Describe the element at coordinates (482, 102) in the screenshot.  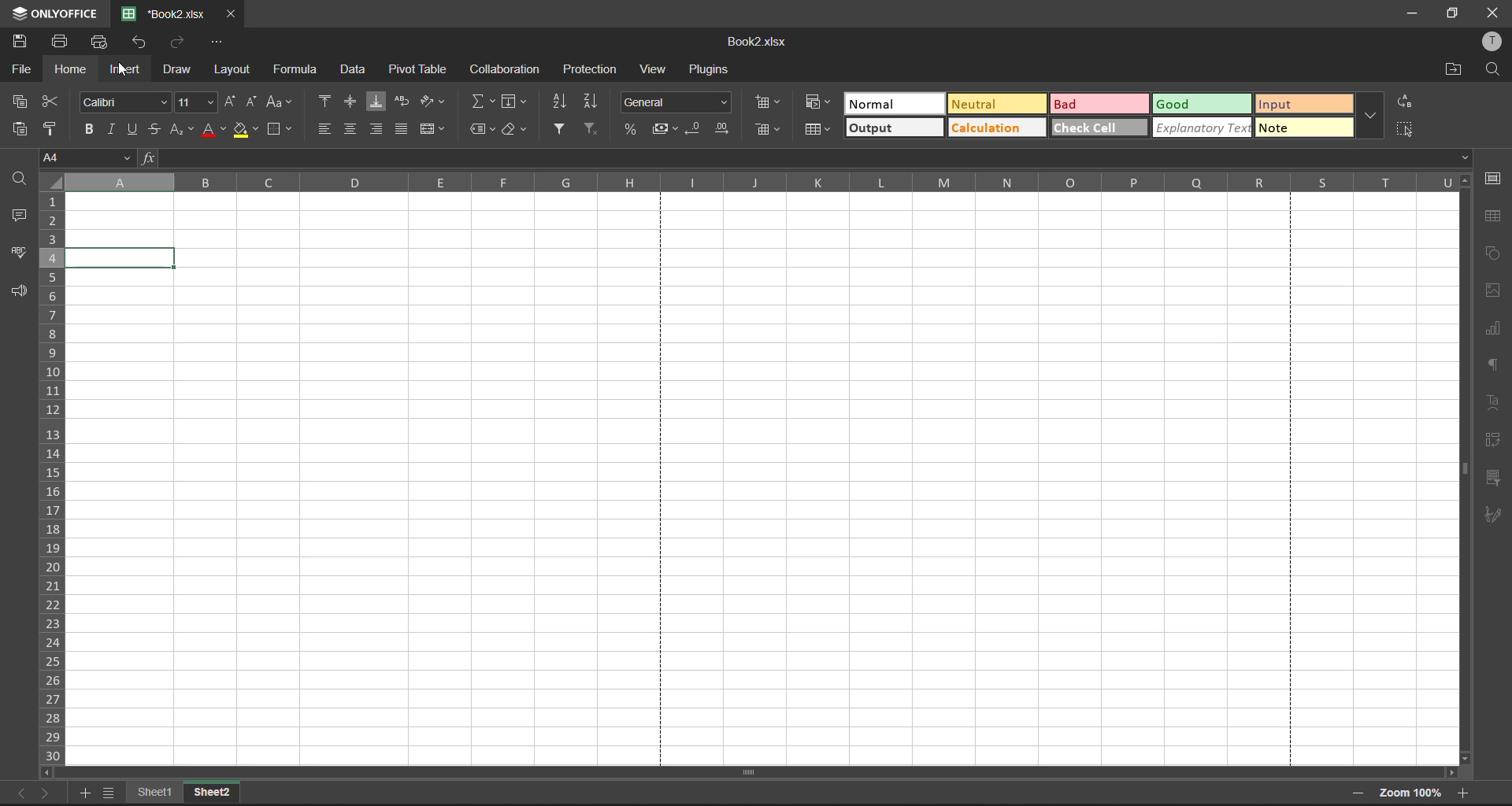
I see `summation` at that location.